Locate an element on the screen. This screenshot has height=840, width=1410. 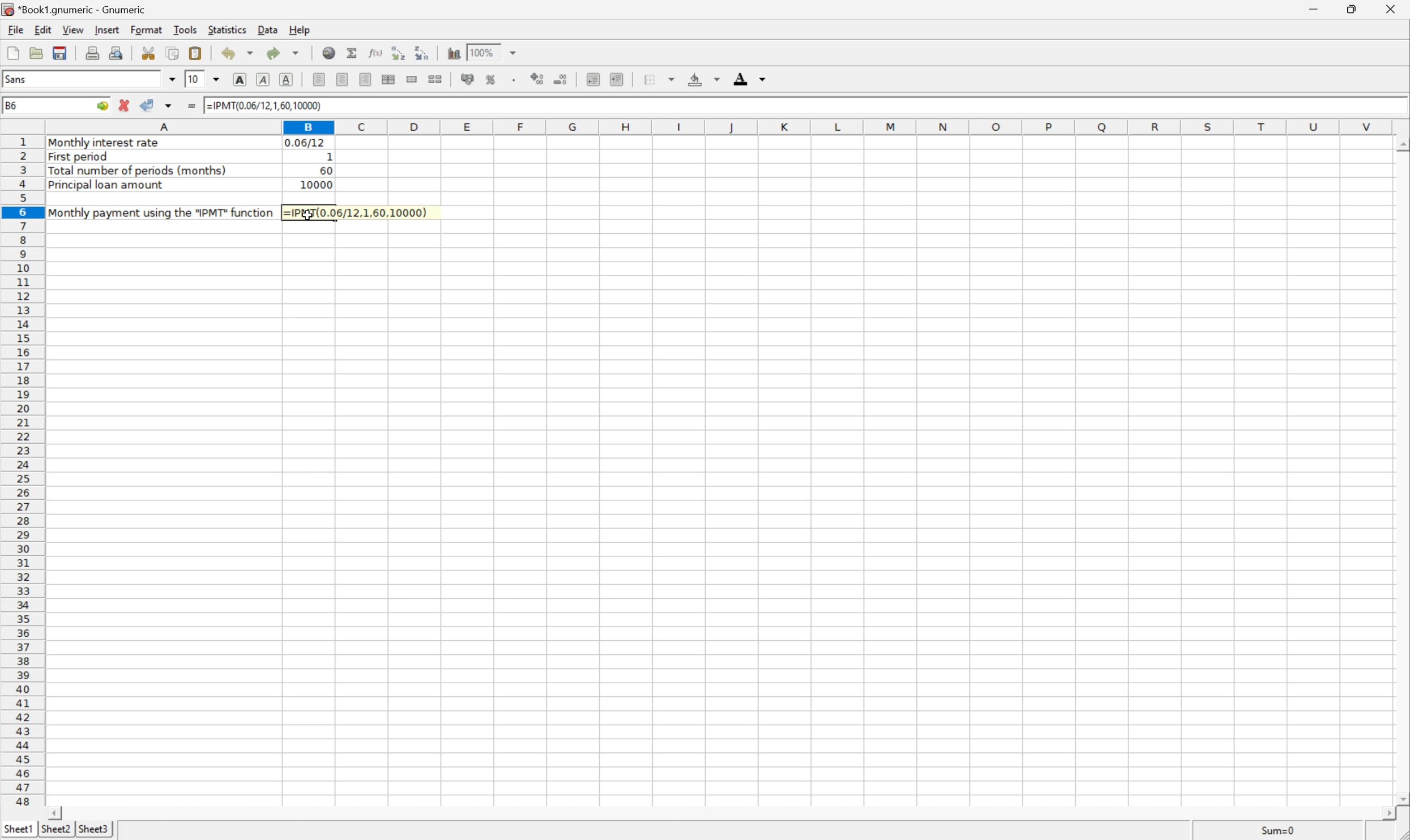
Scroll Right is located at coordinates (1386, 814).